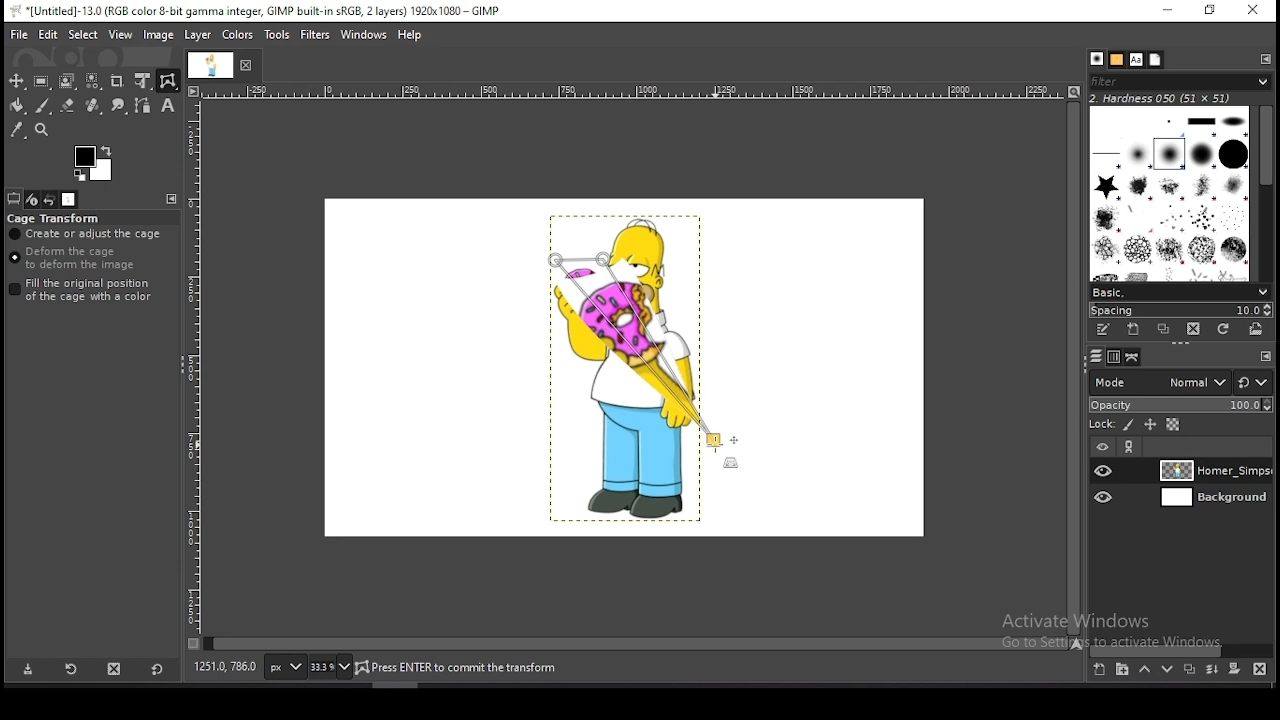 The width and height of the screenshot is (1280, 720). I want to click on windows, so click(364, 33).